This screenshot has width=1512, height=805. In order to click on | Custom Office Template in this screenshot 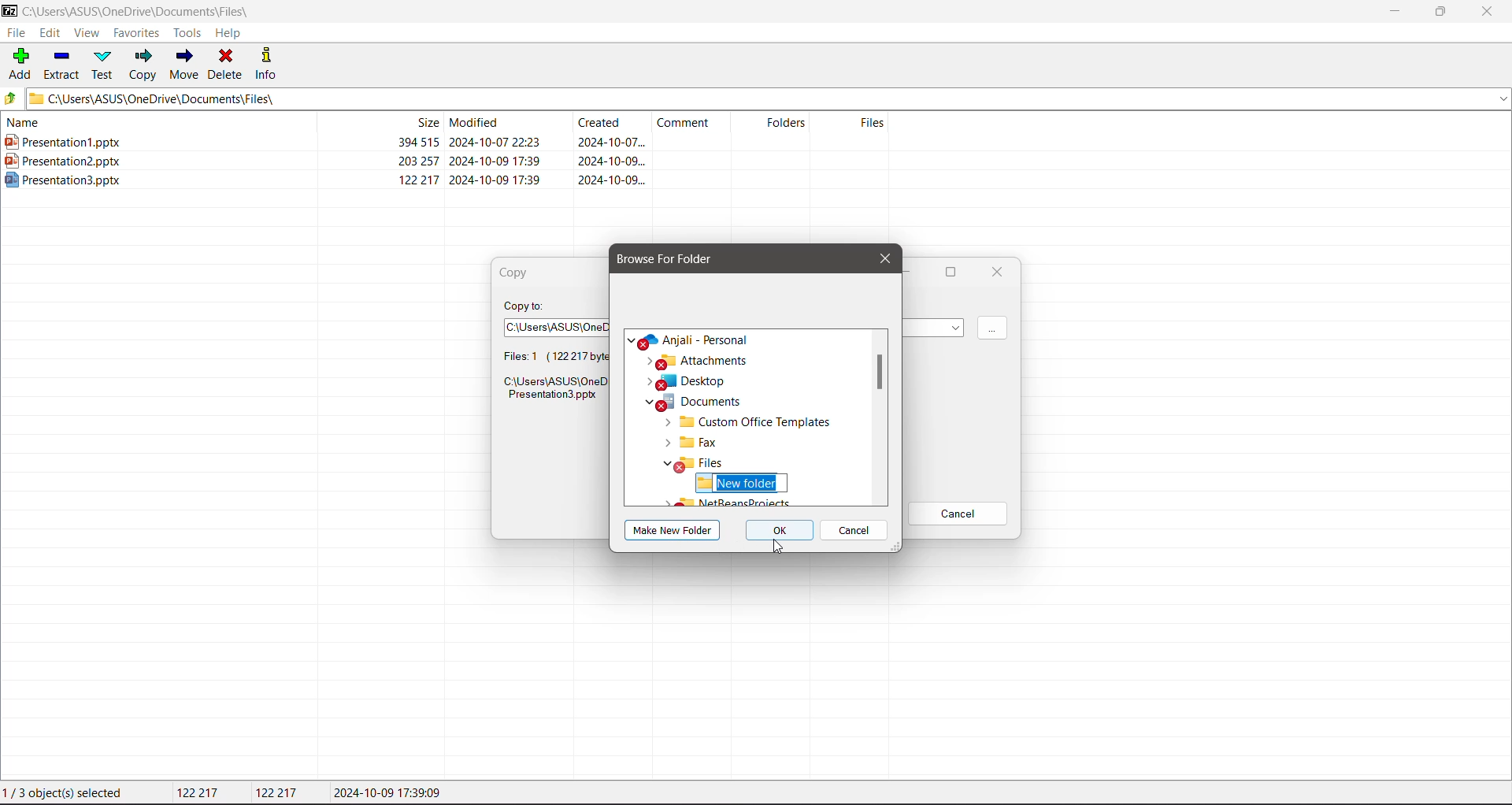, I will do `click(749, 441)`.